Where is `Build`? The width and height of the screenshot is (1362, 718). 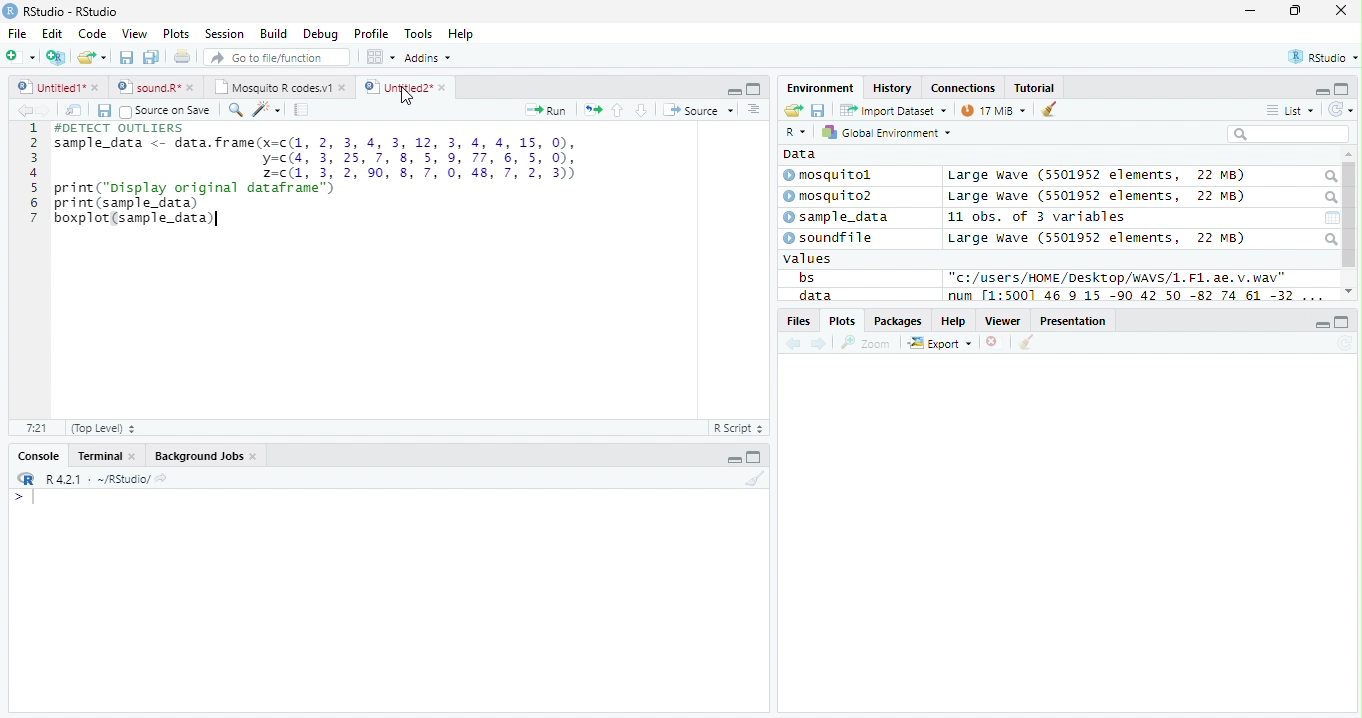 Build is located at coordinates (274, 33).